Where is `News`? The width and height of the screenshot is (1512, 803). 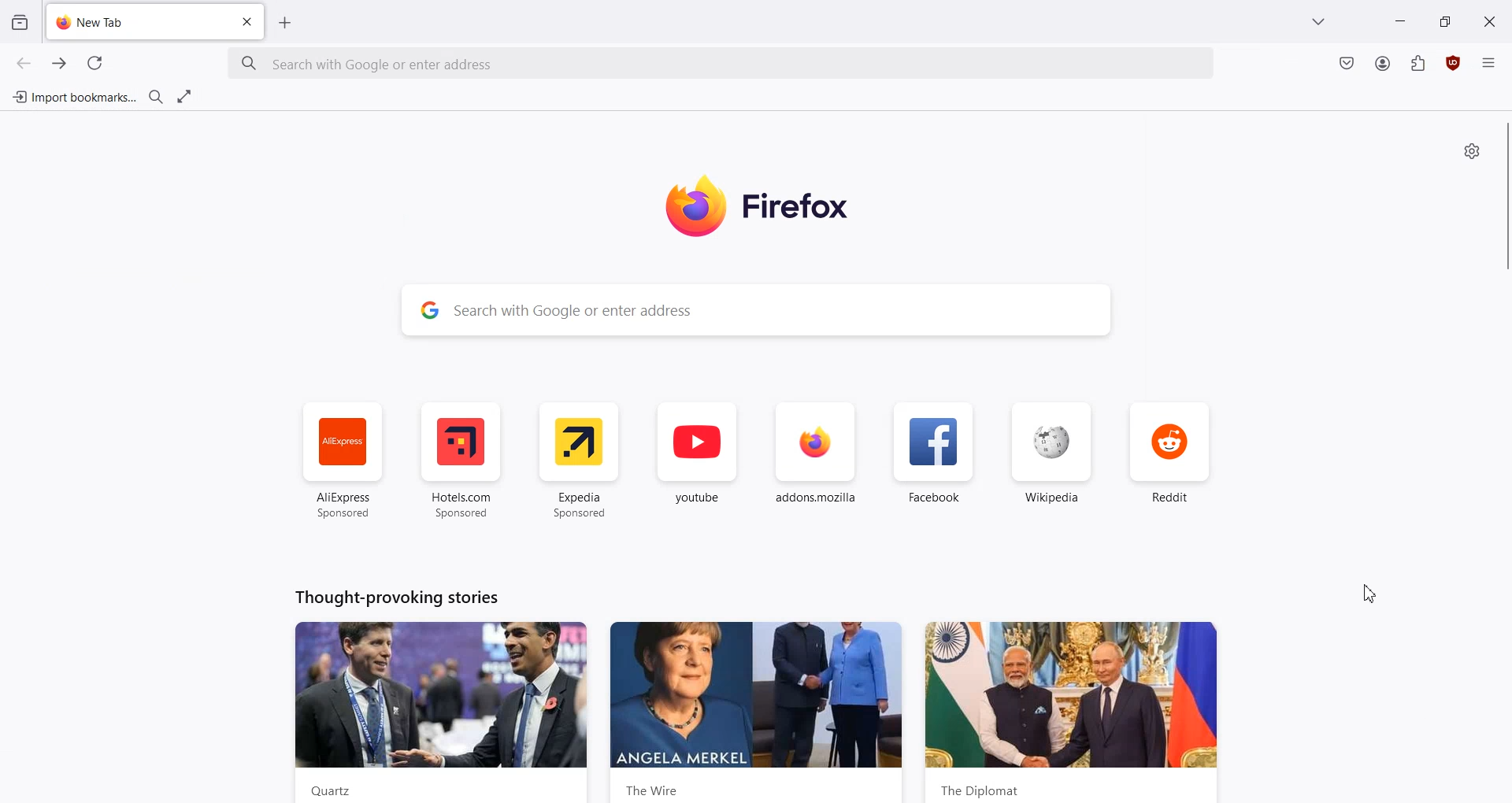 News is located at coordinates (758, 712).